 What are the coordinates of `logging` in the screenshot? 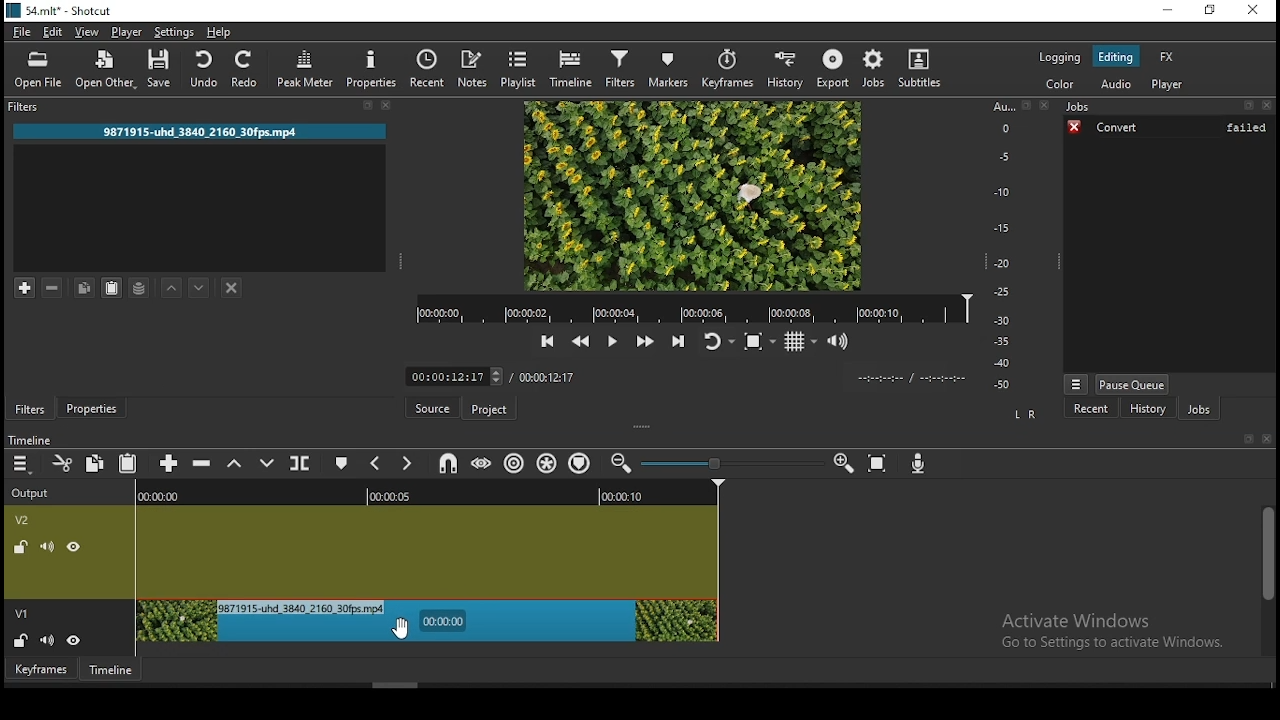 It's located at (1059, 57).